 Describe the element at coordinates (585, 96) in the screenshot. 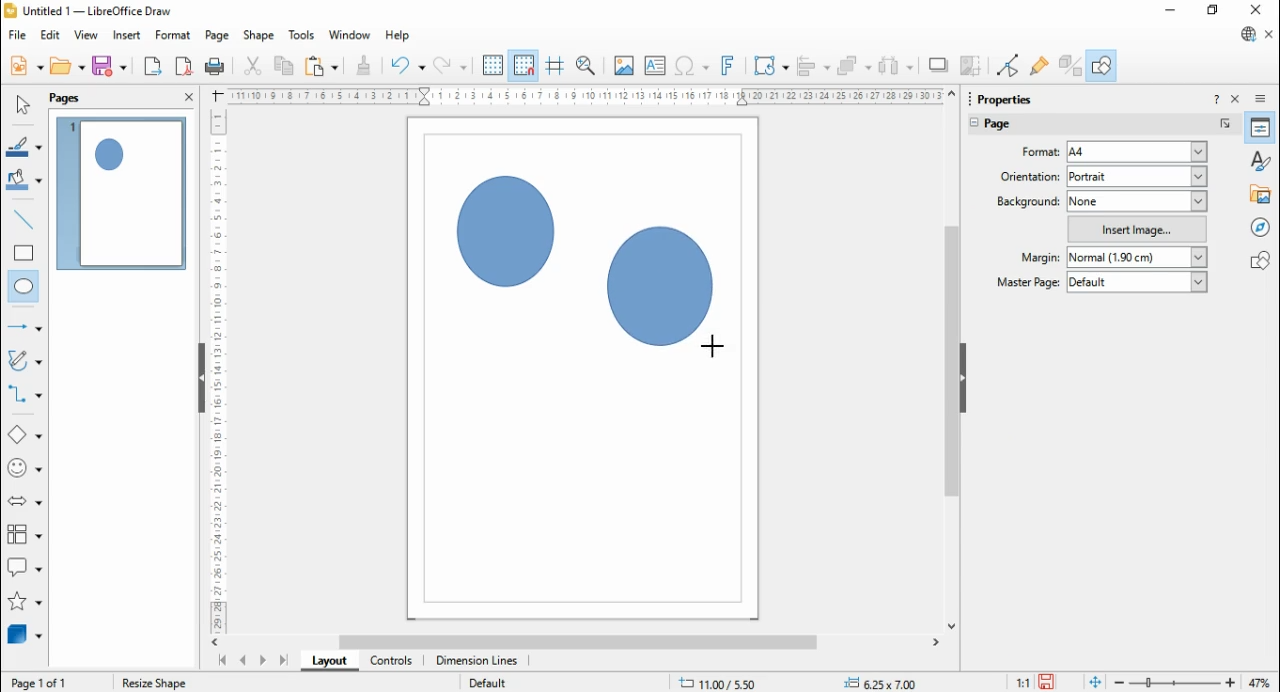

I see `Scale` at that location.